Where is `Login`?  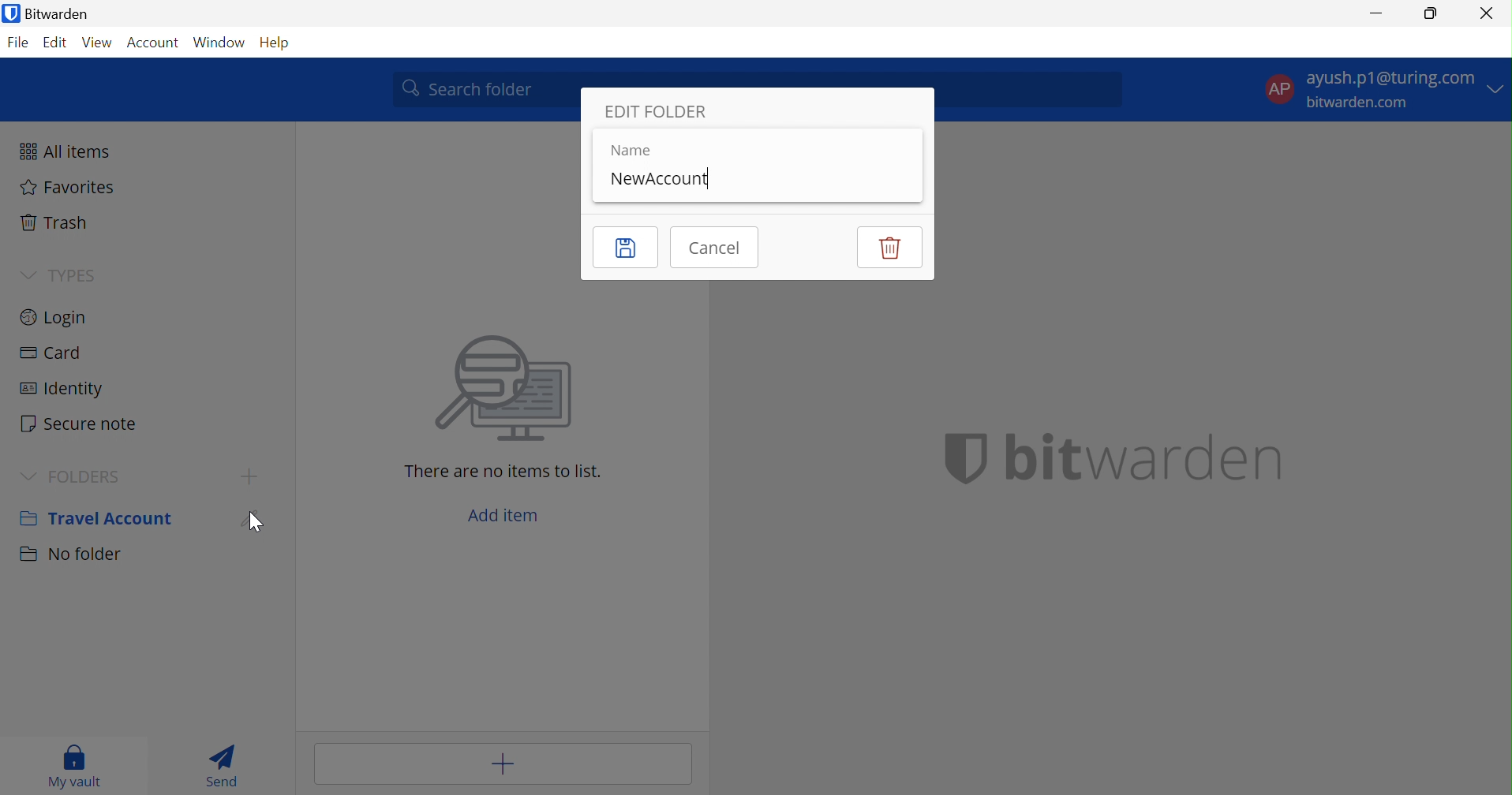 Login is located at coordinates (56, 315).